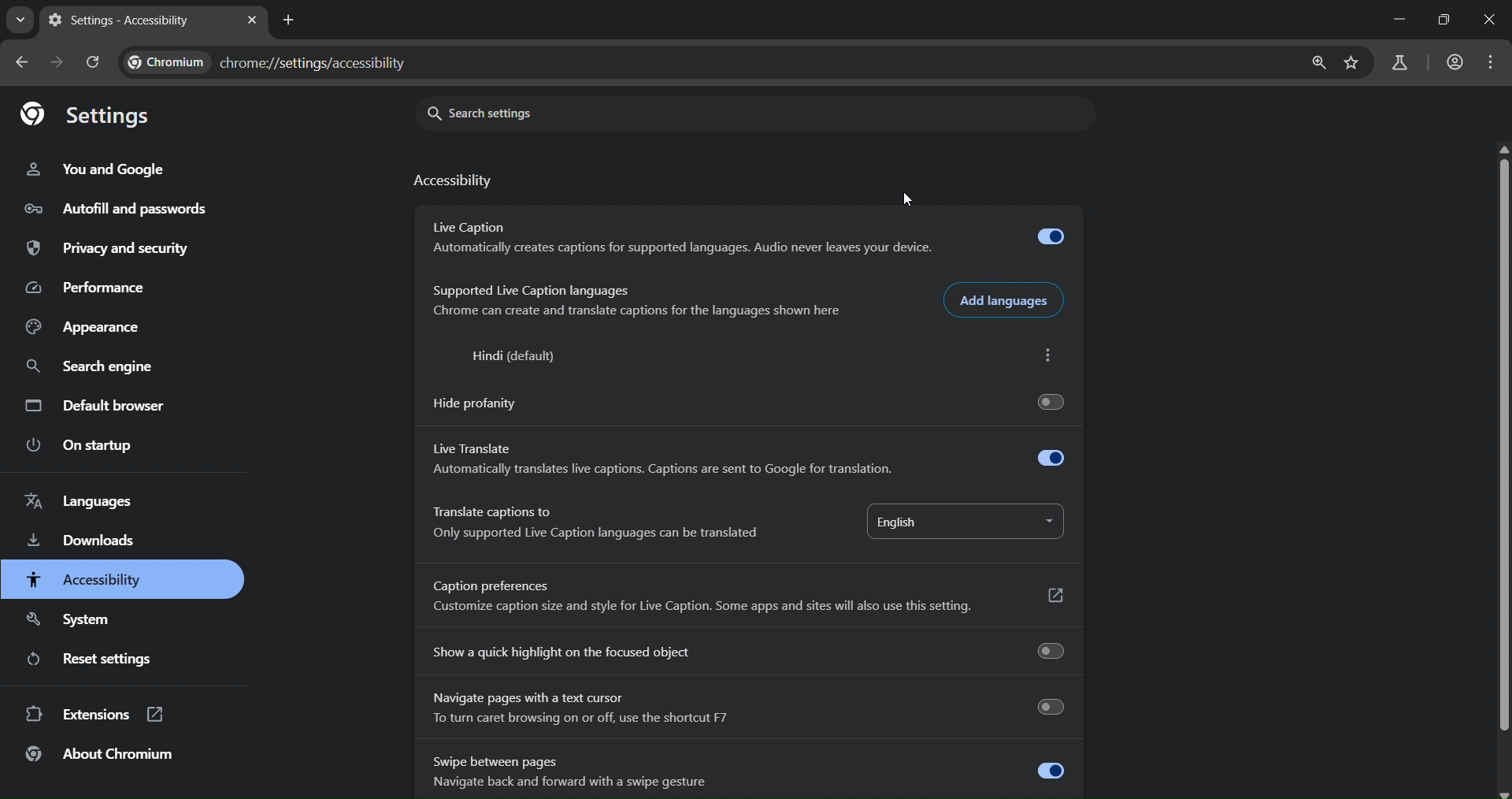  What do you see at coordinates (94, 61) in the screenshot?
I see `reload page` at bounding box center [94, 61].